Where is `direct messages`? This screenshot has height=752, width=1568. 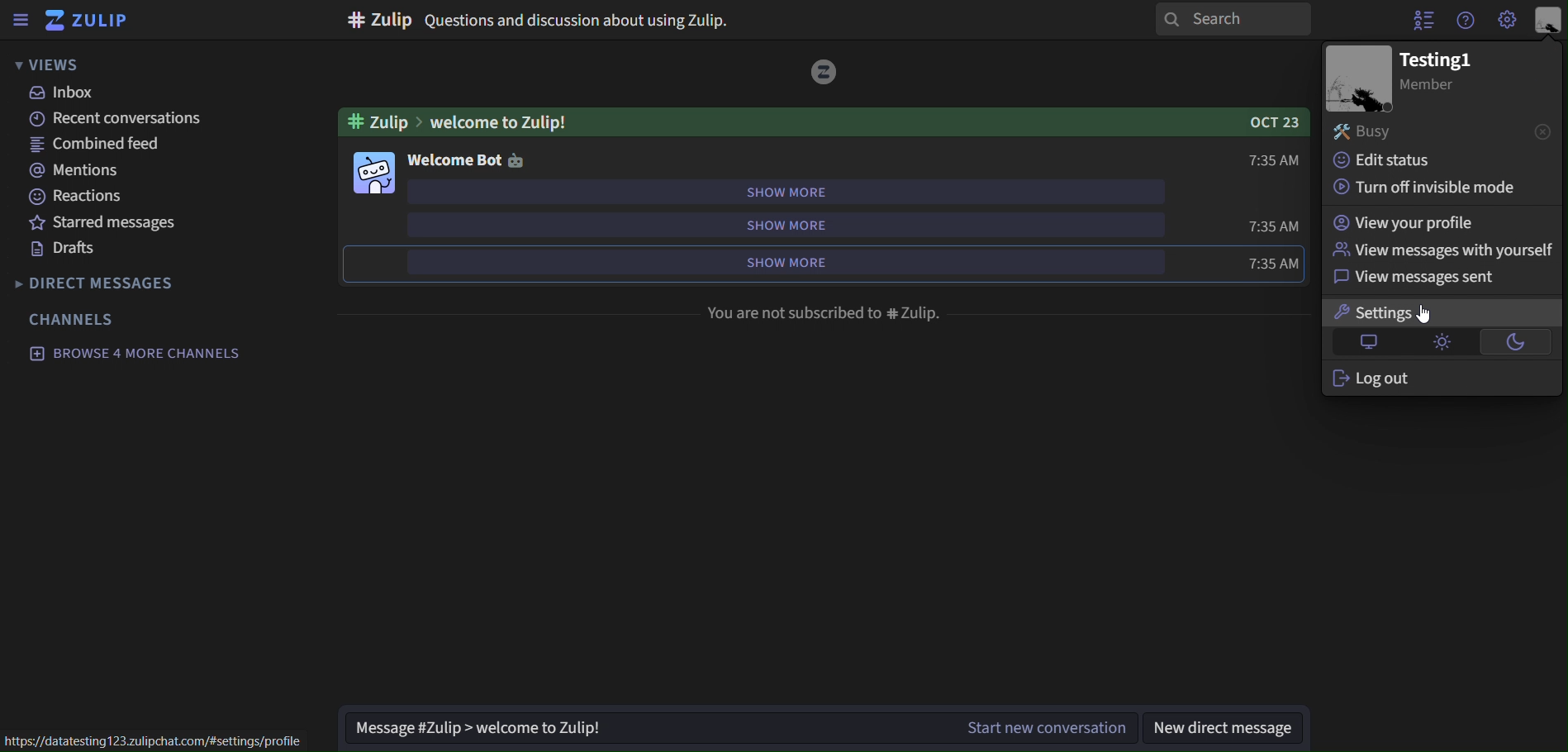 direct messages is located at coordinates (98, 286).